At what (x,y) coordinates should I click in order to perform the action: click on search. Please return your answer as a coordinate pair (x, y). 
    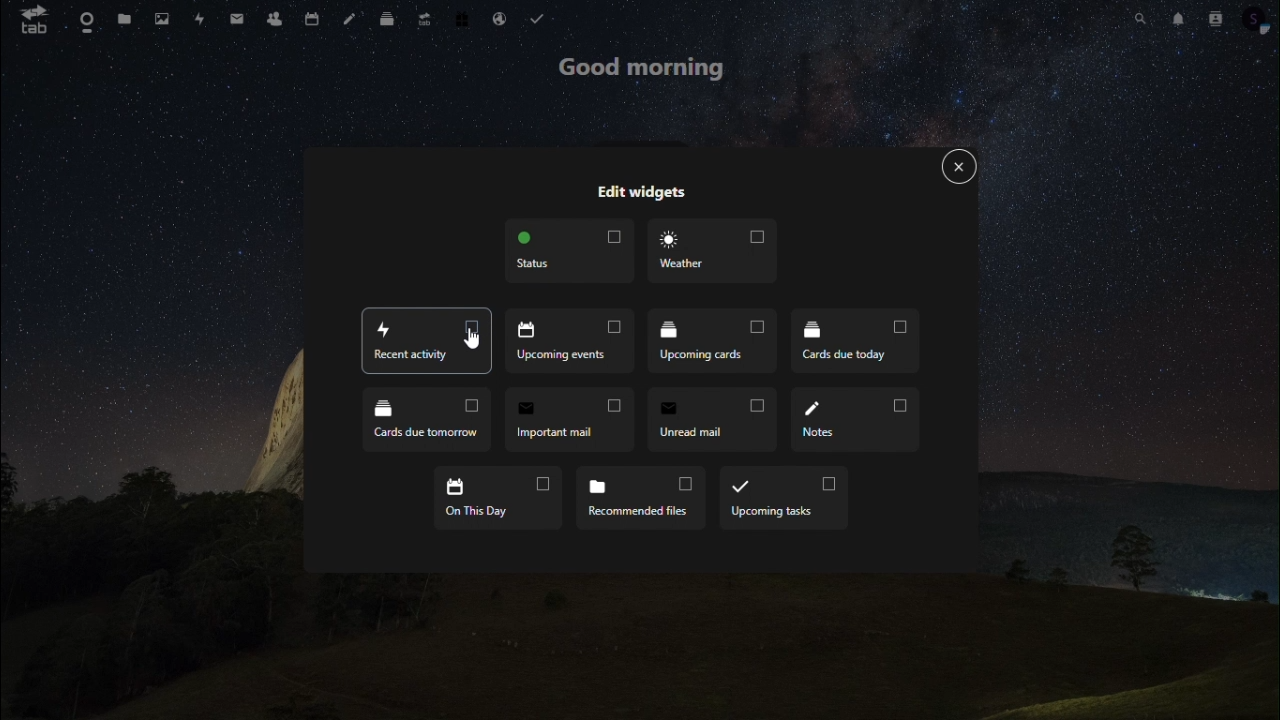
    Looking at the image, I should click on (1135, 23).